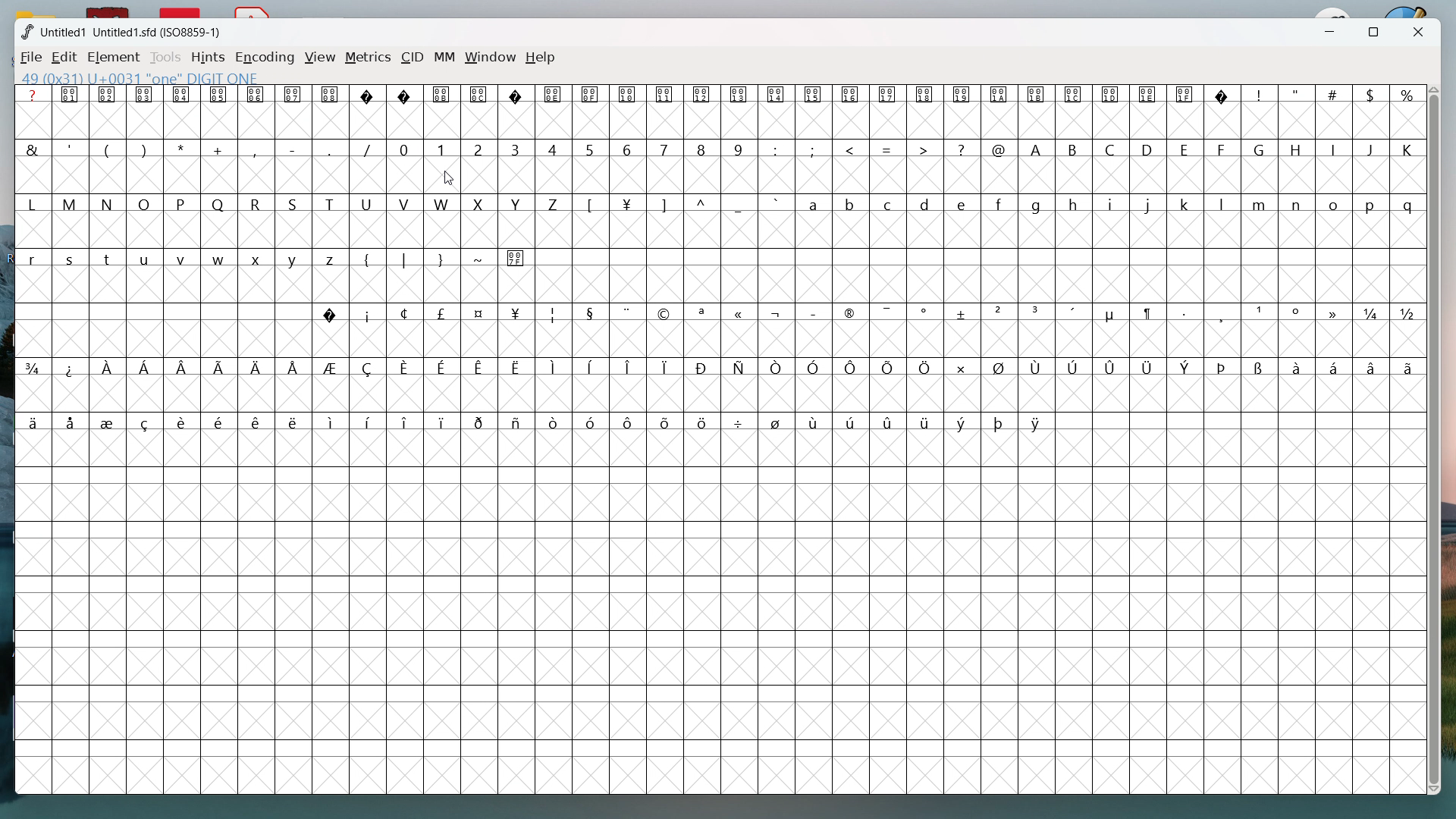 This screenshot has width=1456, height=819. What do you see at coordinates (258, 202) in the screenshot?
I see `R` at bounding box center [258, 202].